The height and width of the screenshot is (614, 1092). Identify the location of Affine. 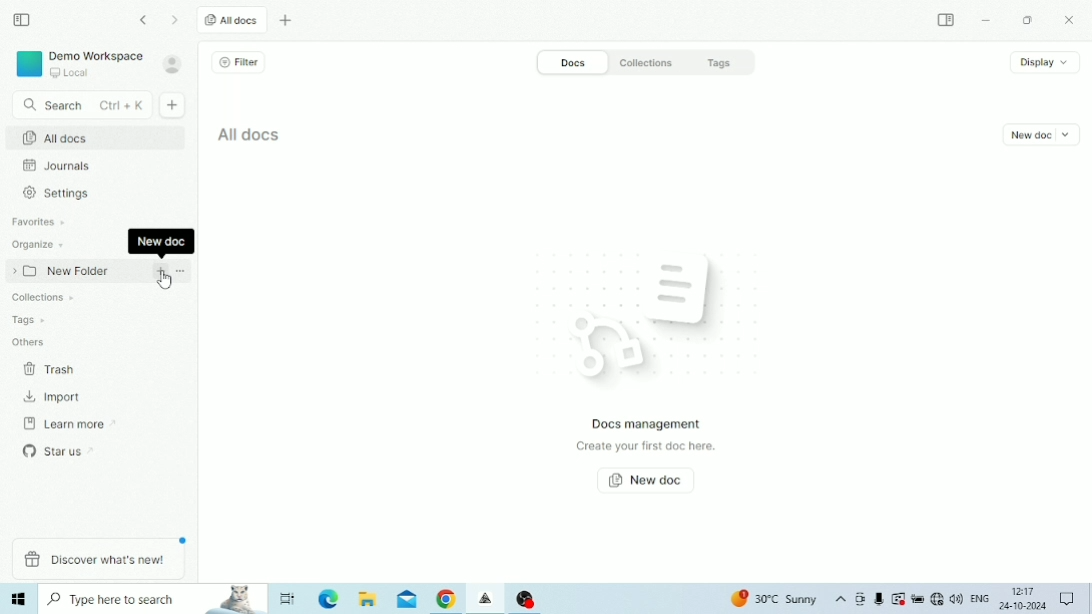
(487, 599).